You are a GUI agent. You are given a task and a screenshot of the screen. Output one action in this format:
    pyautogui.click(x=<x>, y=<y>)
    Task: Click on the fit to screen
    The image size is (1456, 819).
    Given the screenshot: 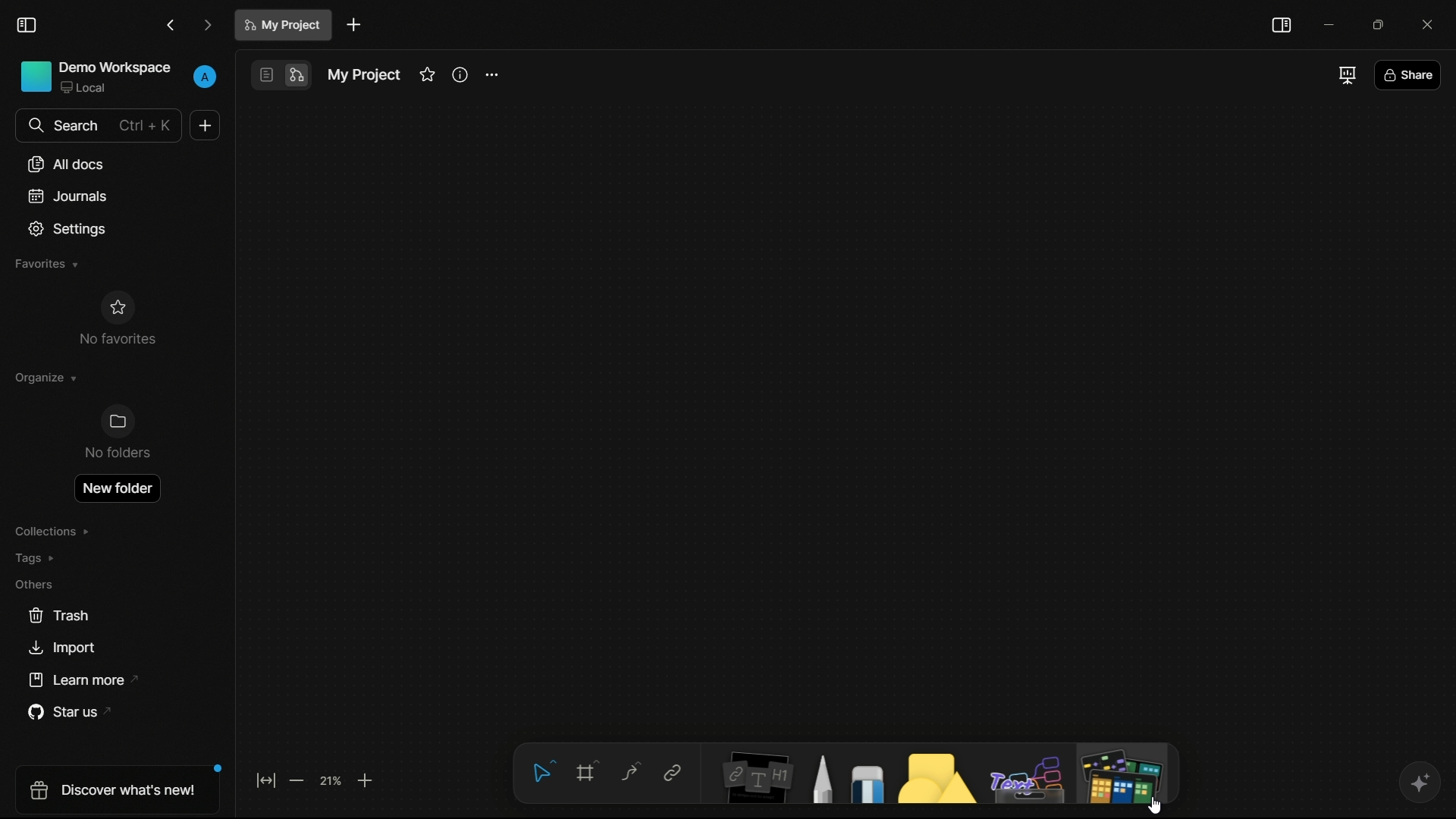 What is the action you would take?
    pyautogui.click(x=265, y=783)
    